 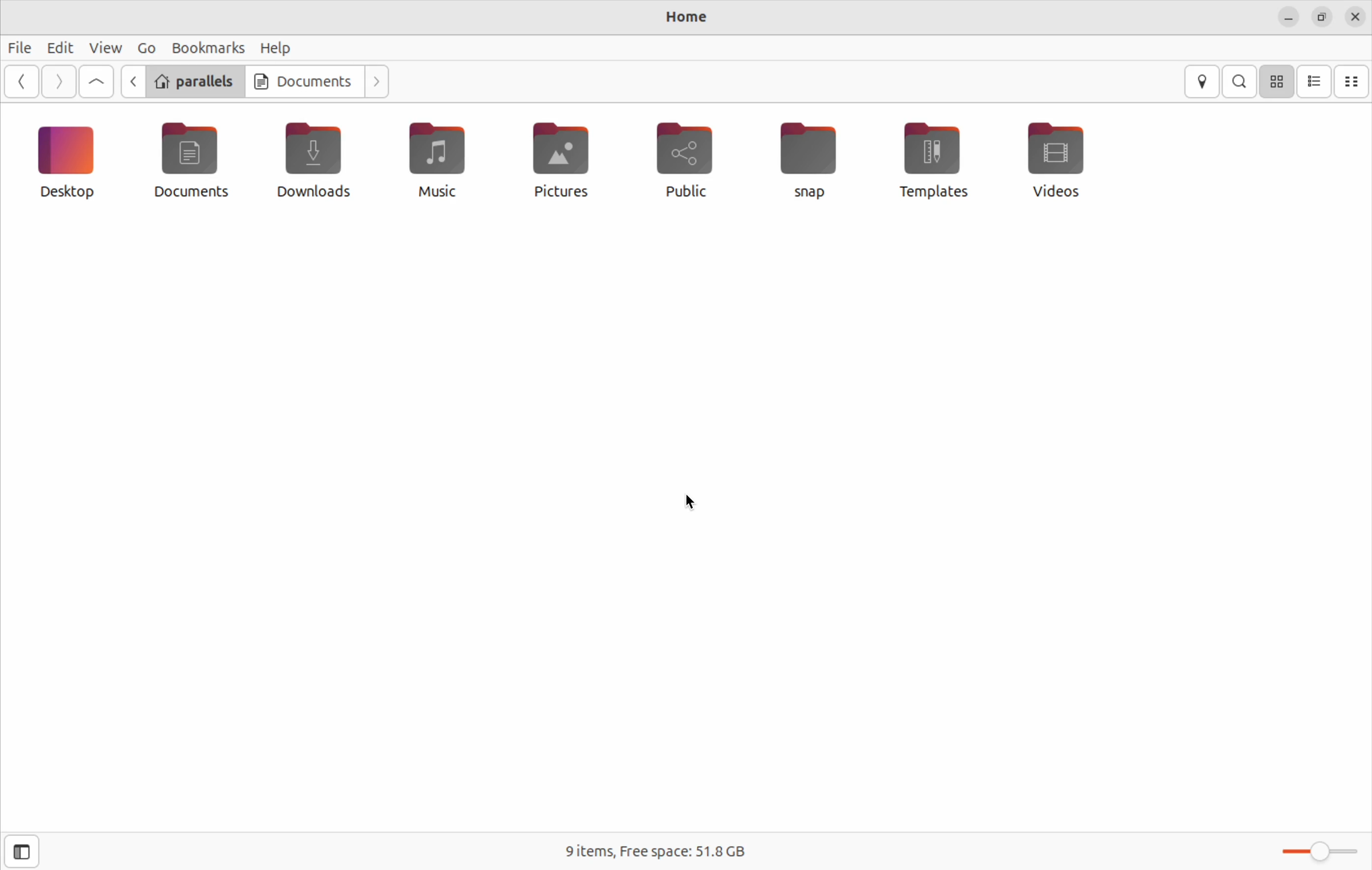 I want to click on help, so click(x=279, y=49).